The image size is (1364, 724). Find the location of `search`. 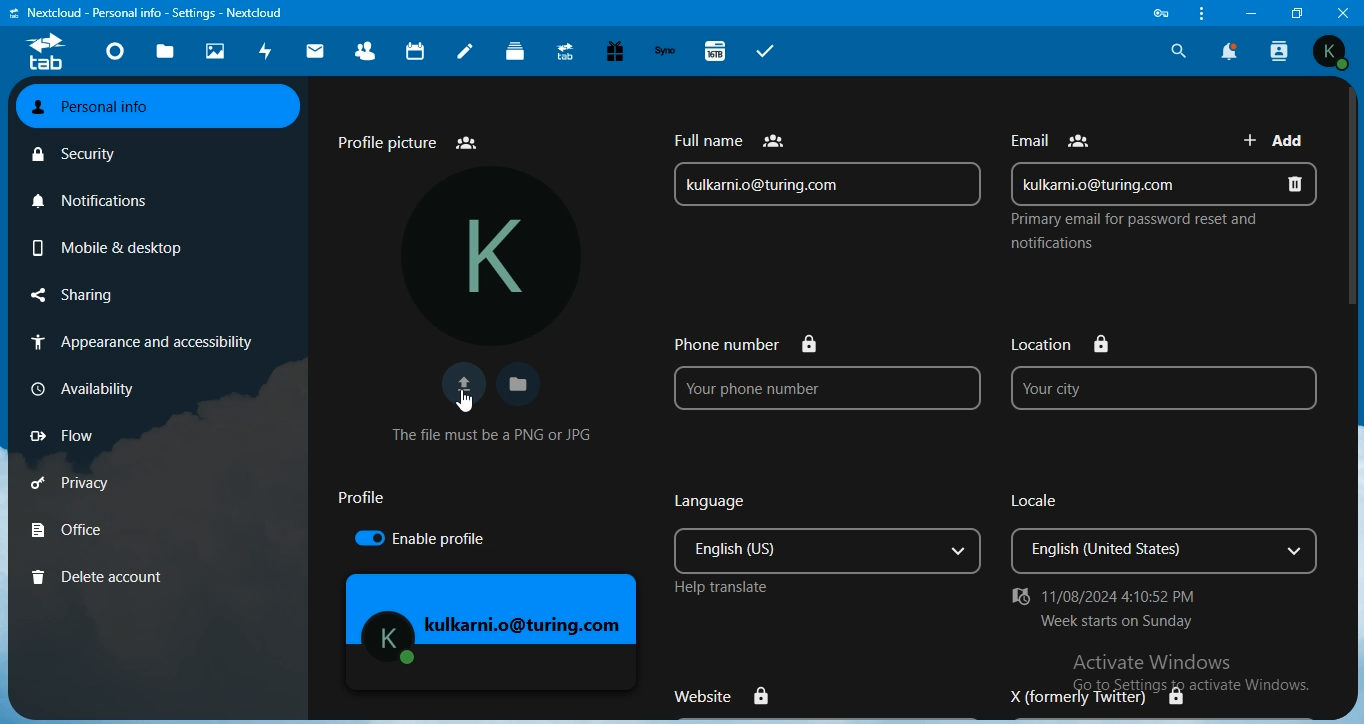

search is located at coordinates (1176, 50).